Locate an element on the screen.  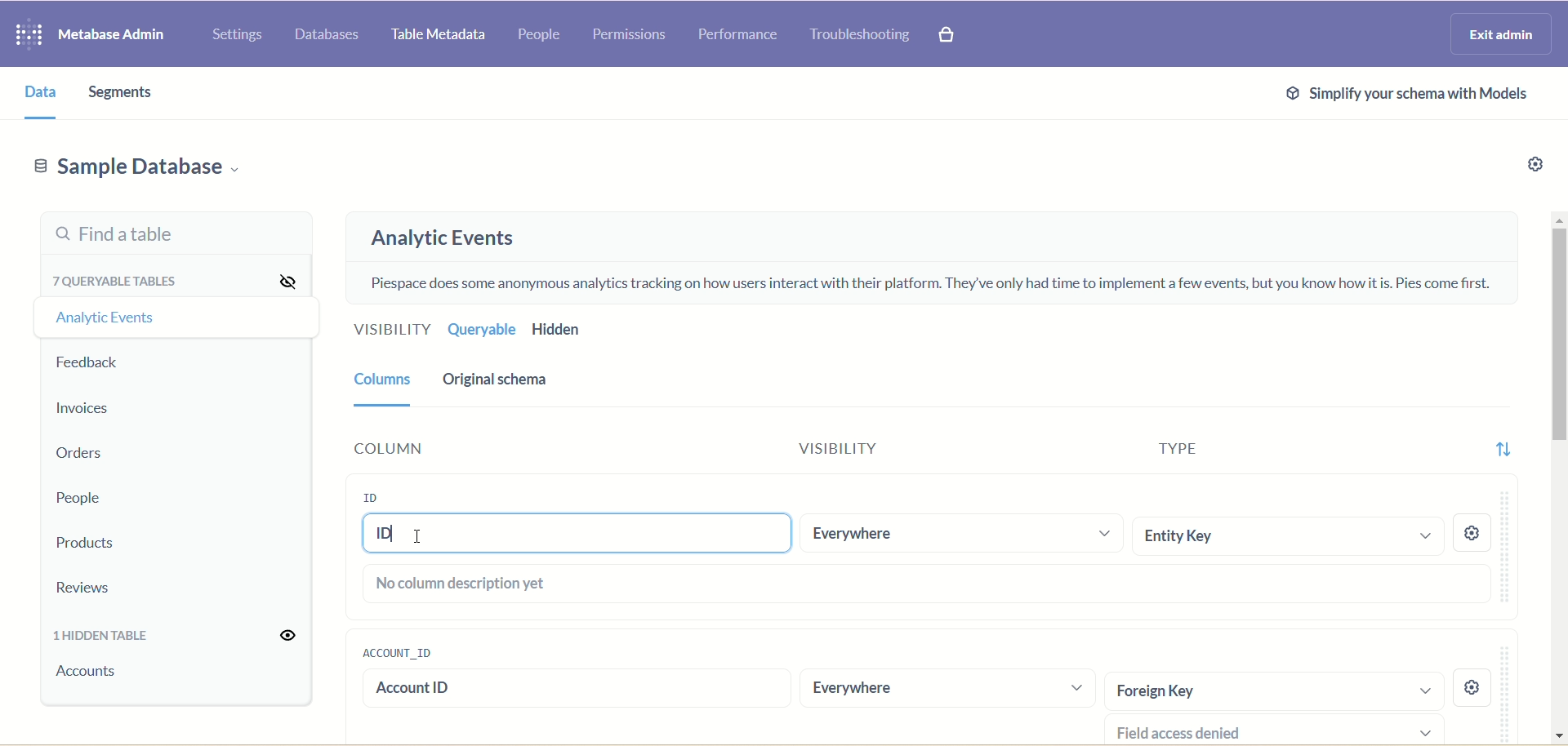
People is located at coordinates (540, 31).